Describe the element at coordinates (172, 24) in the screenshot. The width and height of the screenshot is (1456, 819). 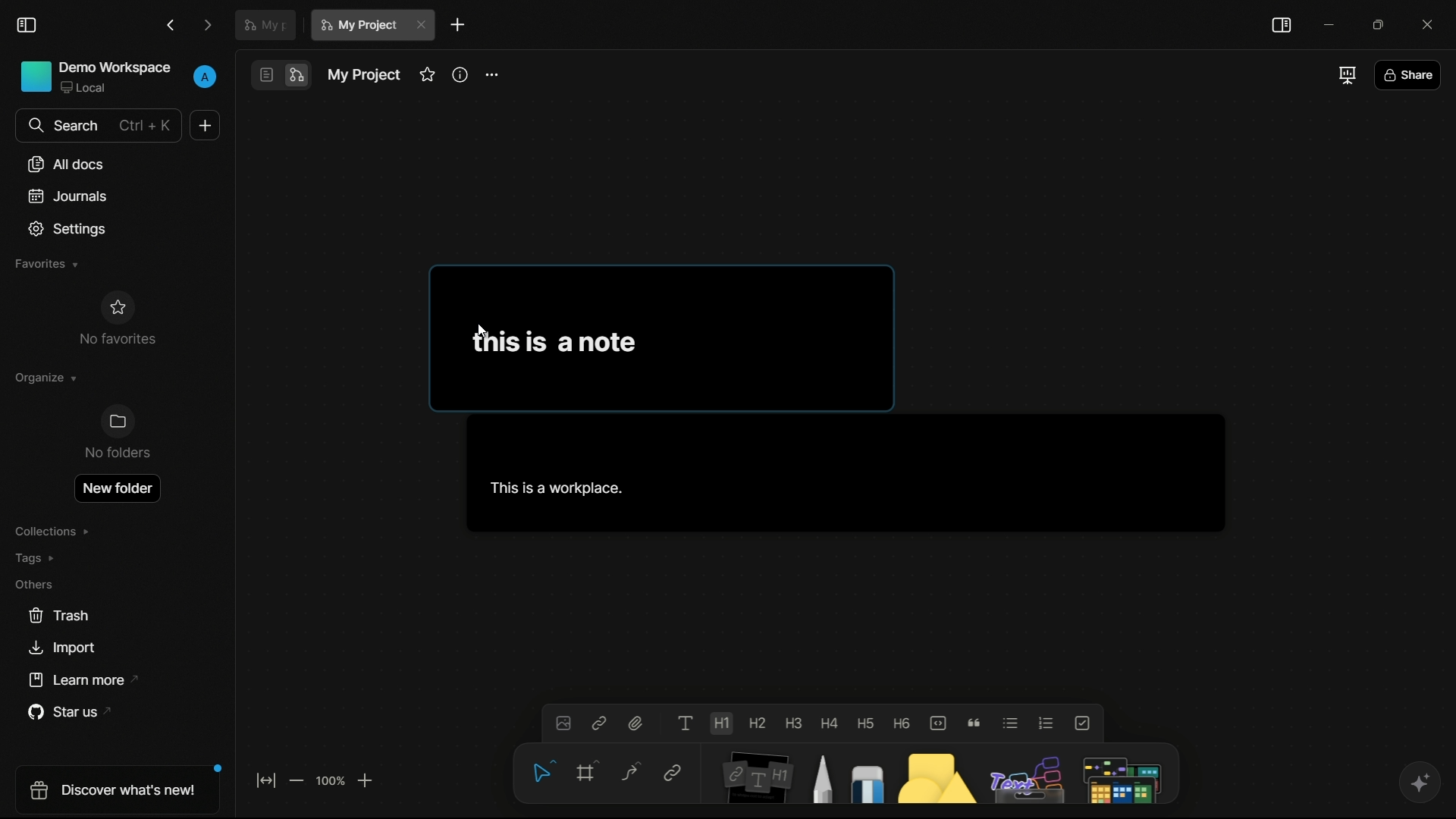
I see `back` at that location.